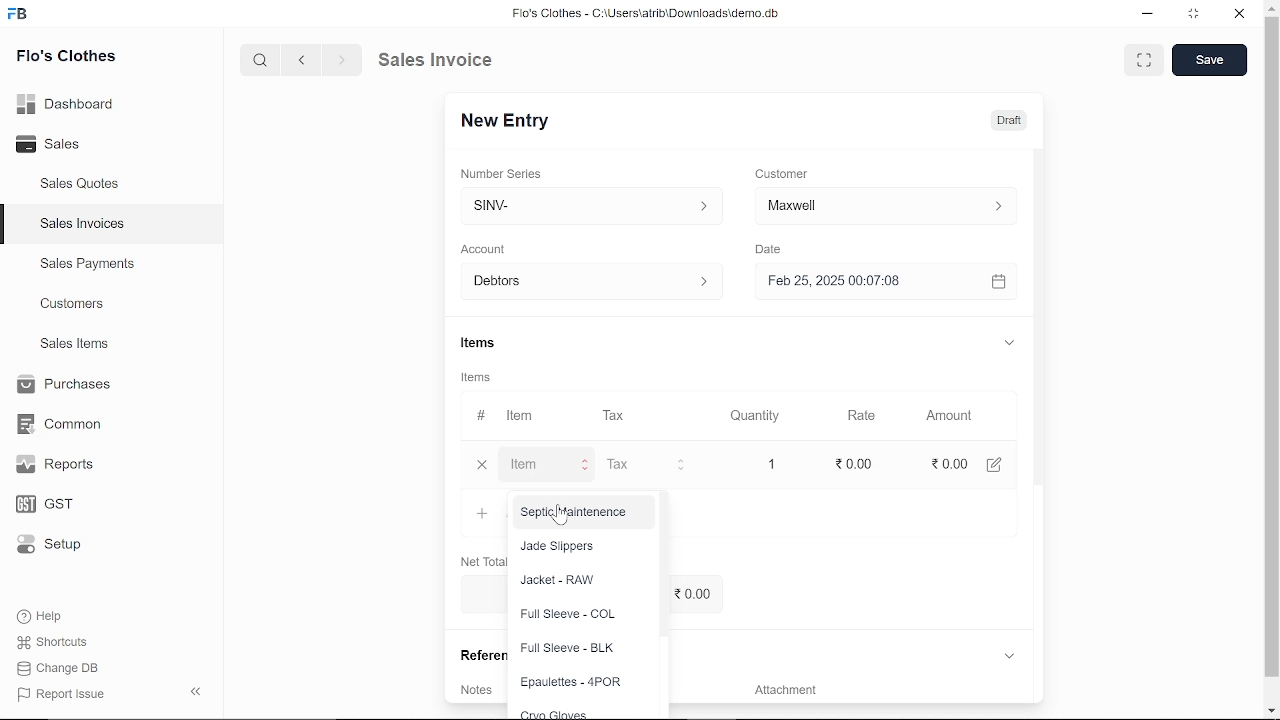 The height and width of the screenshot is (720, 1280). Describe the element at coordinates (54, 642) in the screenshot. I see `Shortcuts` at that location.